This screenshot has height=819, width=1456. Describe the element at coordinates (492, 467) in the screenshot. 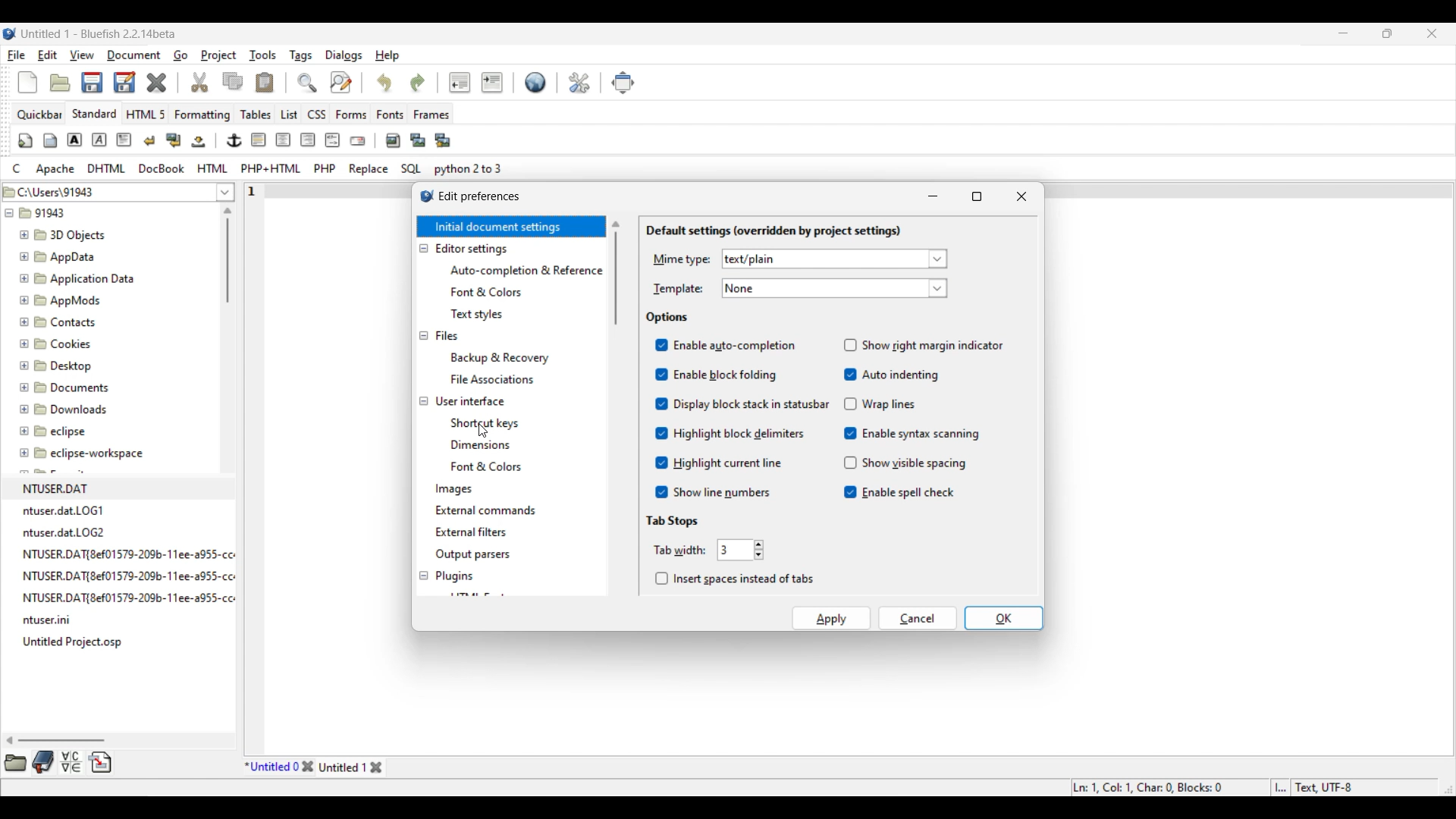

I see `Font & Colors` at that location.